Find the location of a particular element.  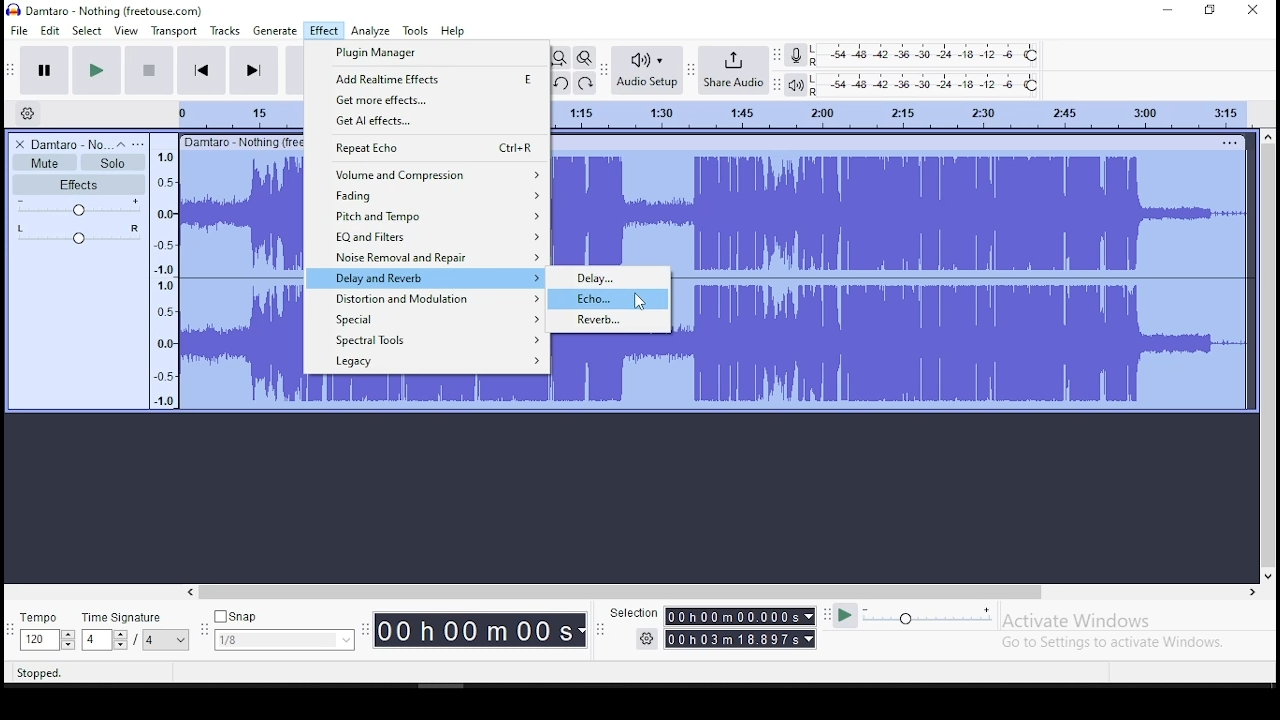

Stopped. is located at coordinates (42, 673).